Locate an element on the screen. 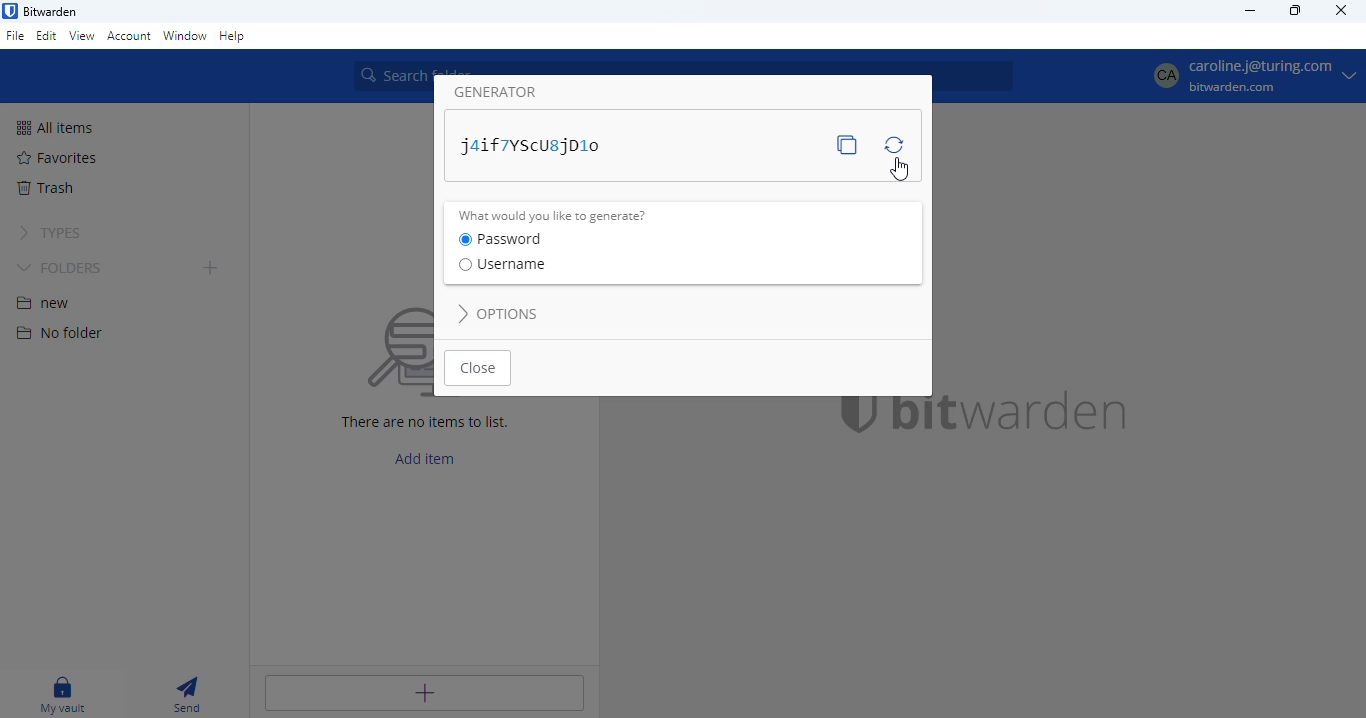 The width and height of the screenshot is (1366, 718). add folder is located at coordinates (212, 269).